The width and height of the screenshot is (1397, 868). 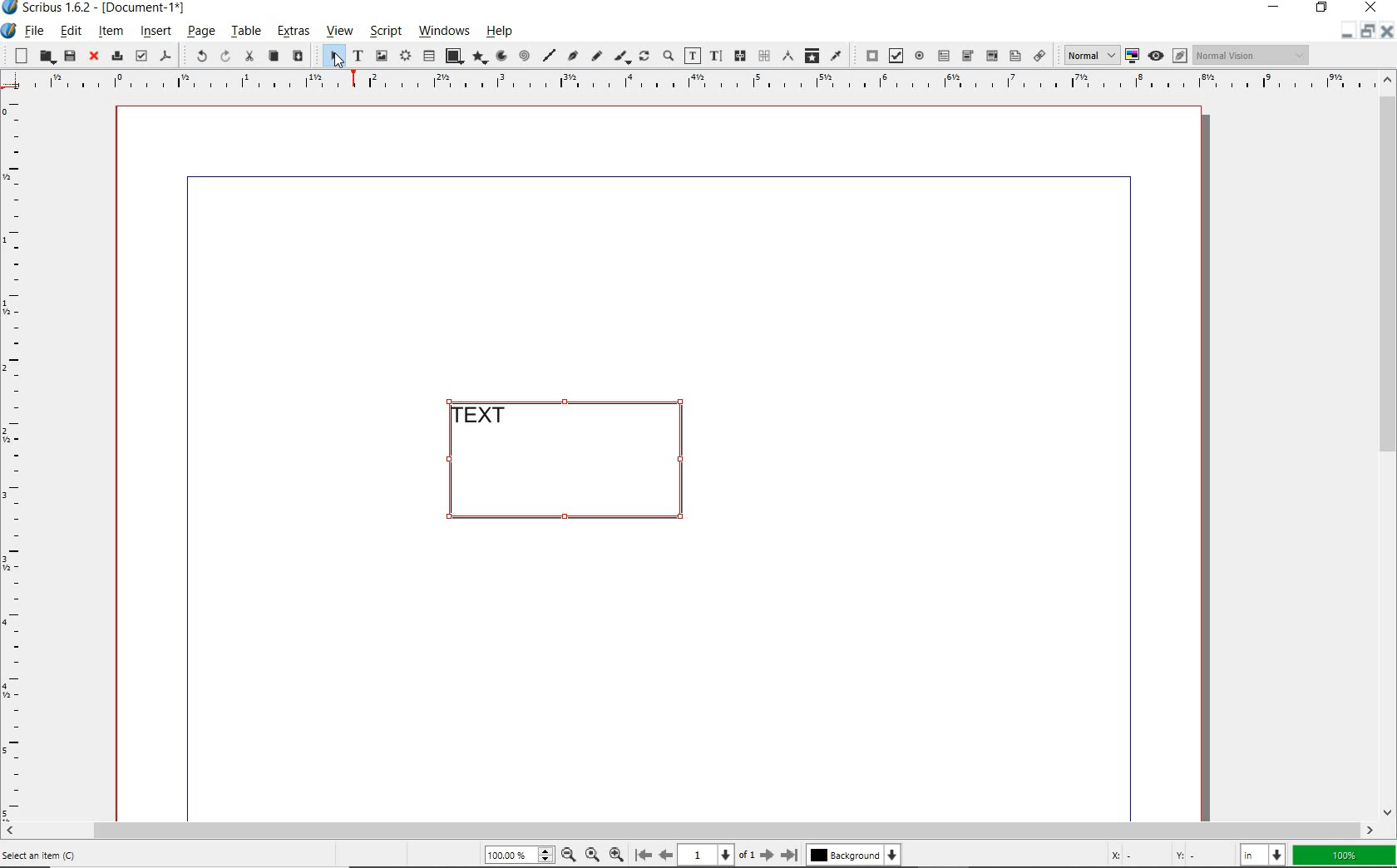 I want to click on Close, so click(x=1386, y=32).